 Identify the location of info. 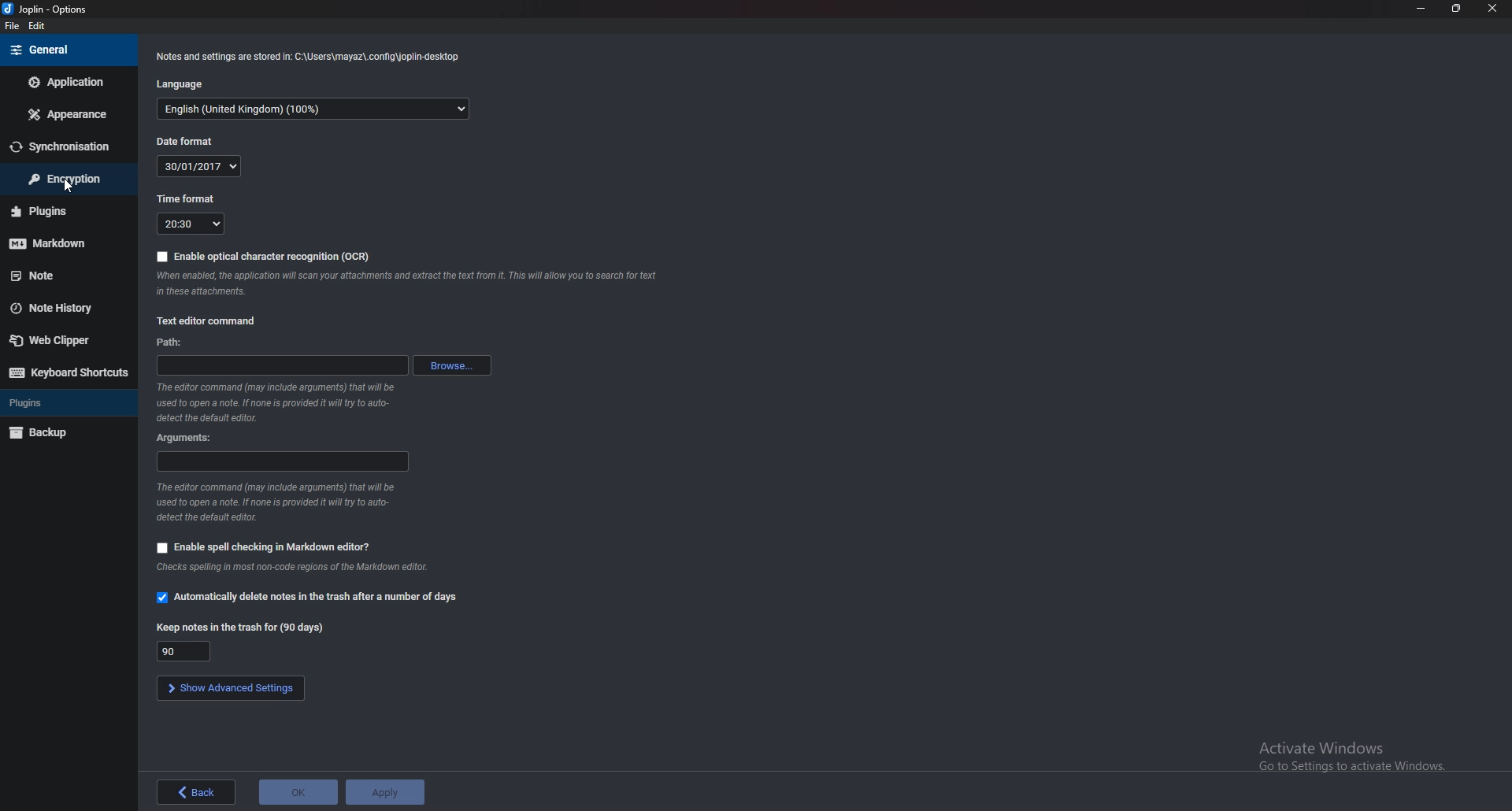
(405, 283).